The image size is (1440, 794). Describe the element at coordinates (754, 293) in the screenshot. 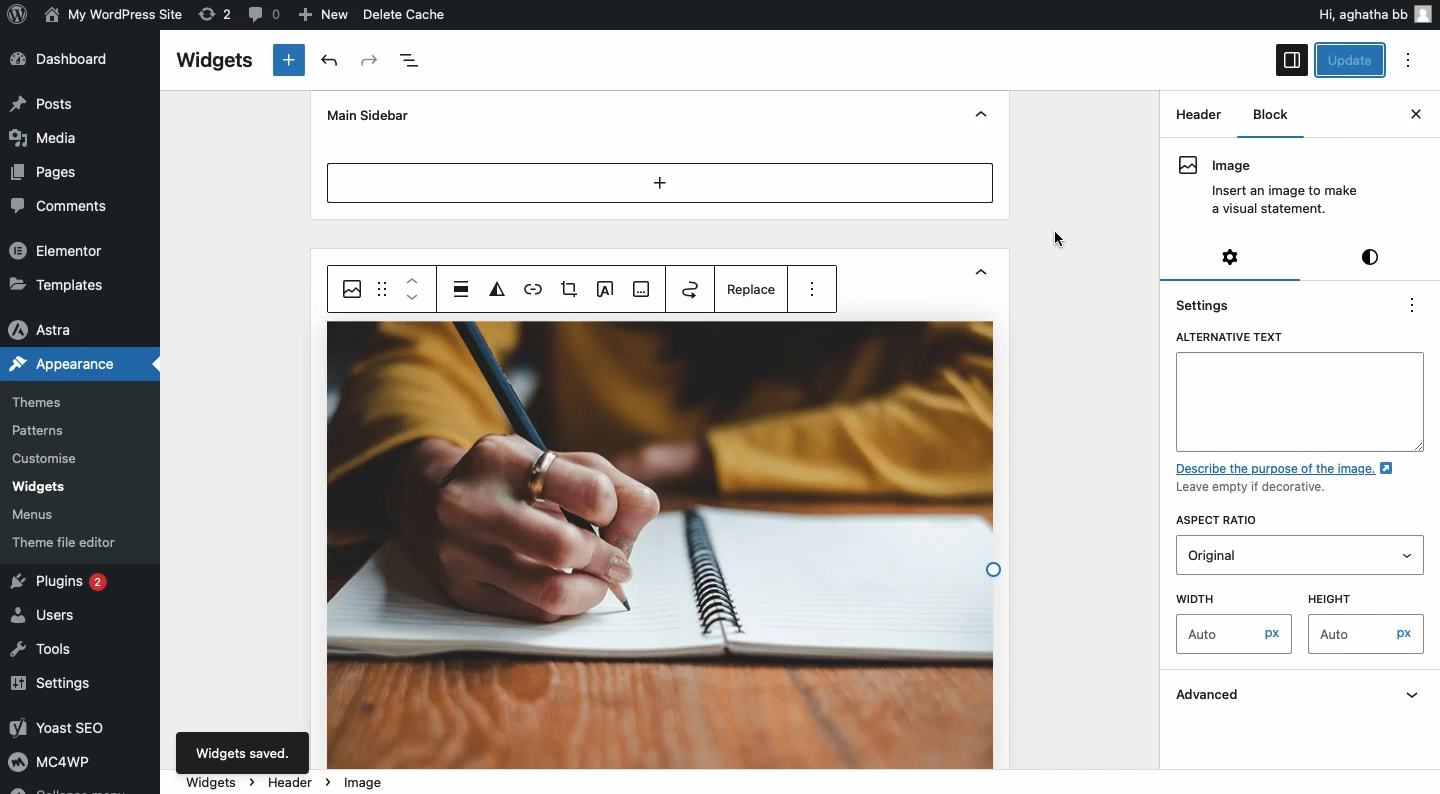

I see `Replace` at that location.